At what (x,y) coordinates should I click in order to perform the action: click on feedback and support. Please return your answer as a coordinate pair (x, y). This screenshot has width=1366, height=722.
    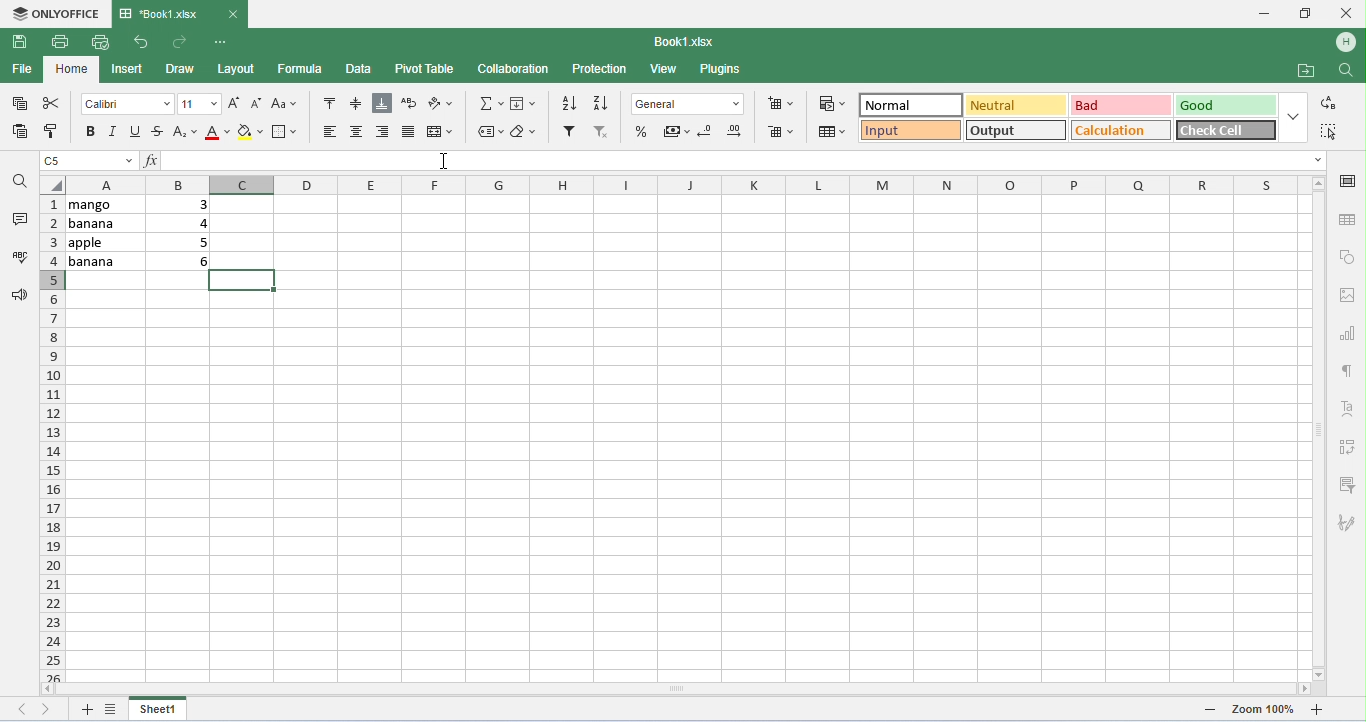
    Looking at the image, I should click on (21, 294).